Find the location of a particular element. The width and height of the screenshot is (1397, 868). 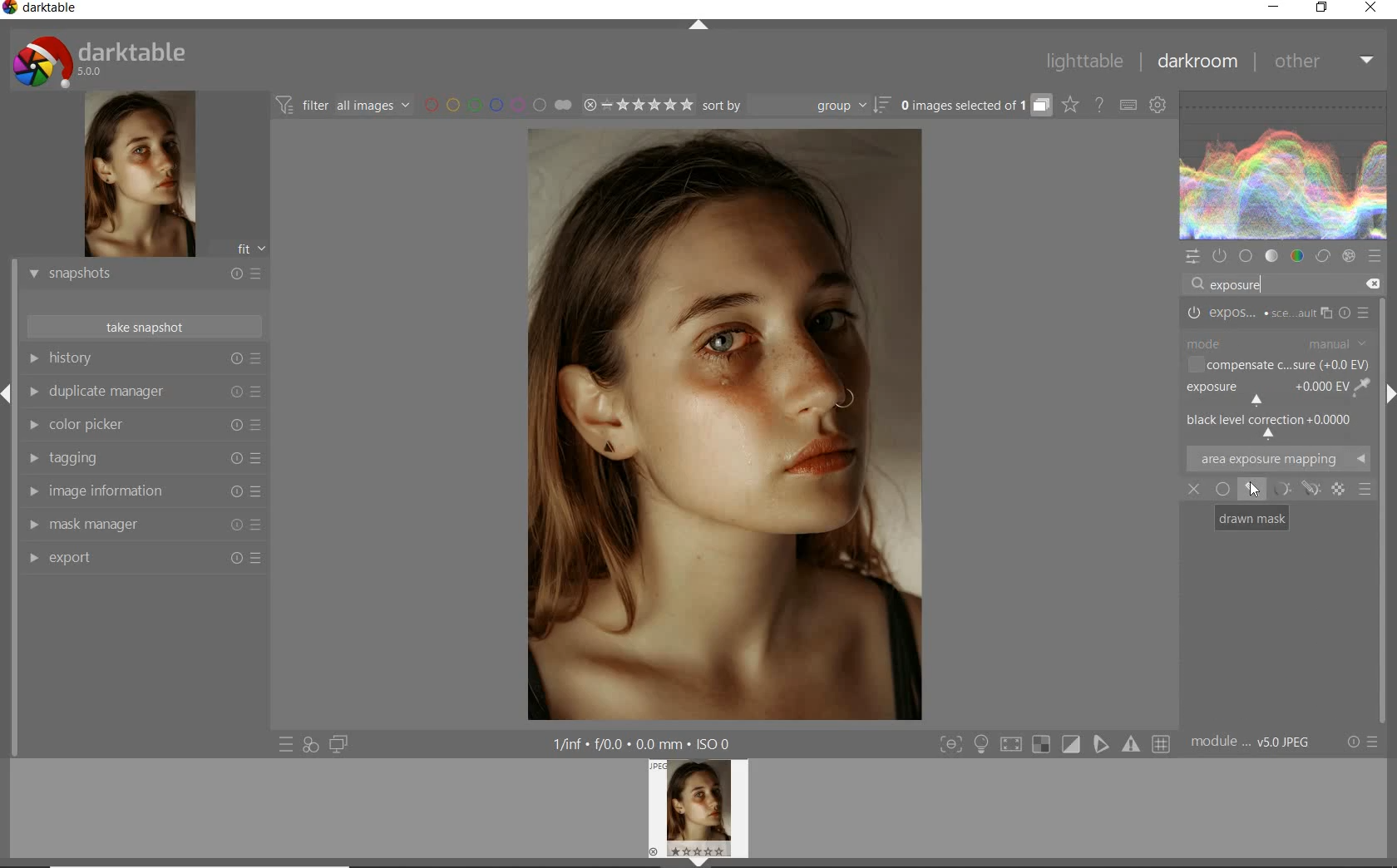

BLENDING OPTIONS is located at coordinates (1364, 491).